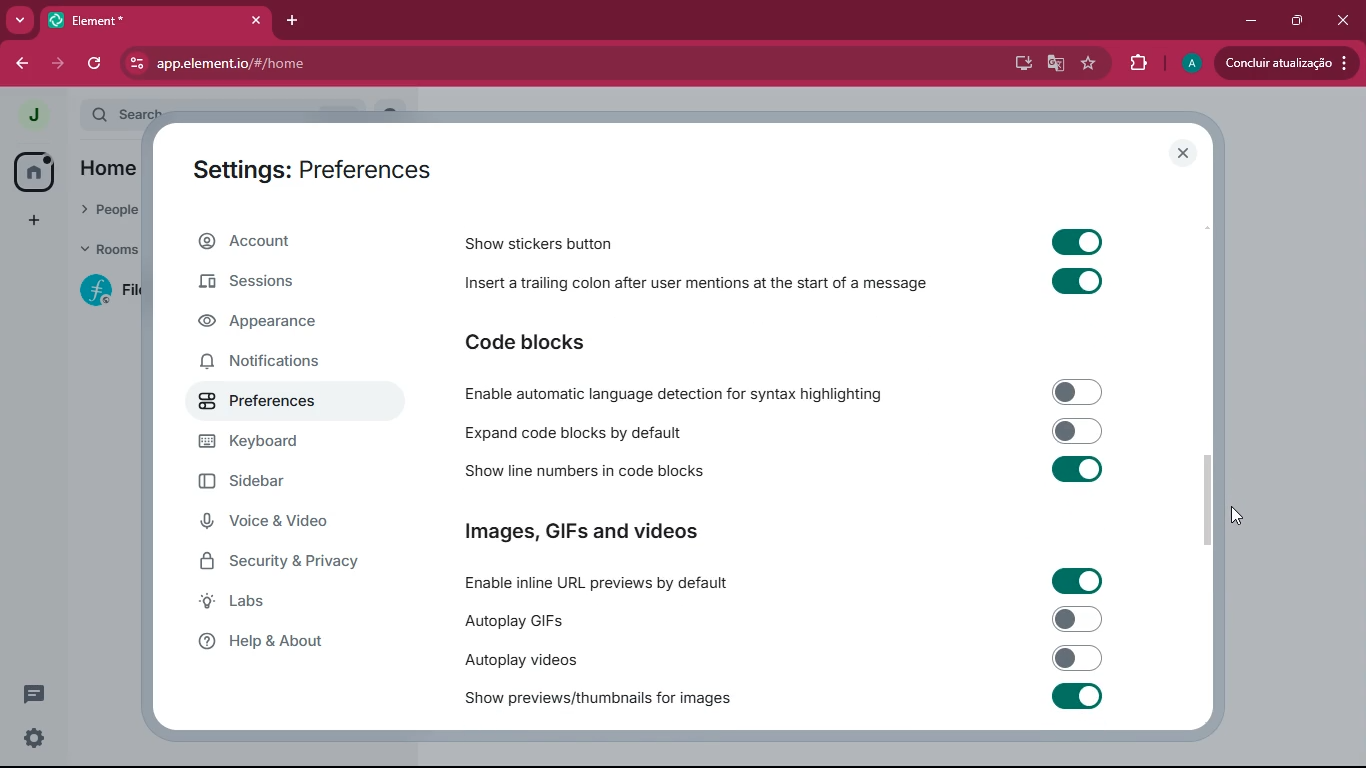 This screenshot has width=1366, height=768. Describe the element at coordinates (296, 566) in the screenshot. I see `security` at that location.